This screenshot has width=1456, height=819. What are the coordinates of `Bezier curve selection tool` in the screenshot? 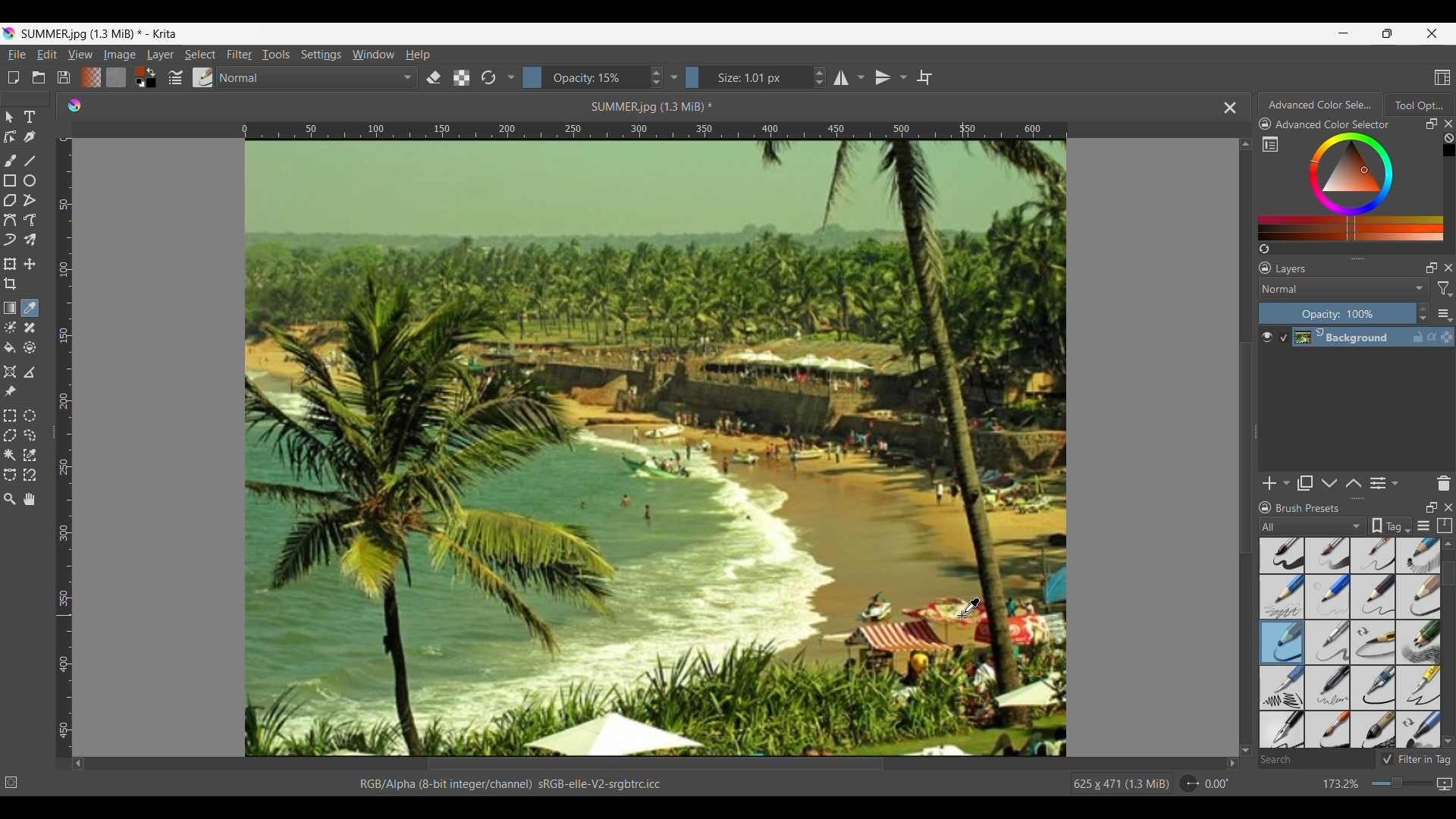 It's located at (10, 475).